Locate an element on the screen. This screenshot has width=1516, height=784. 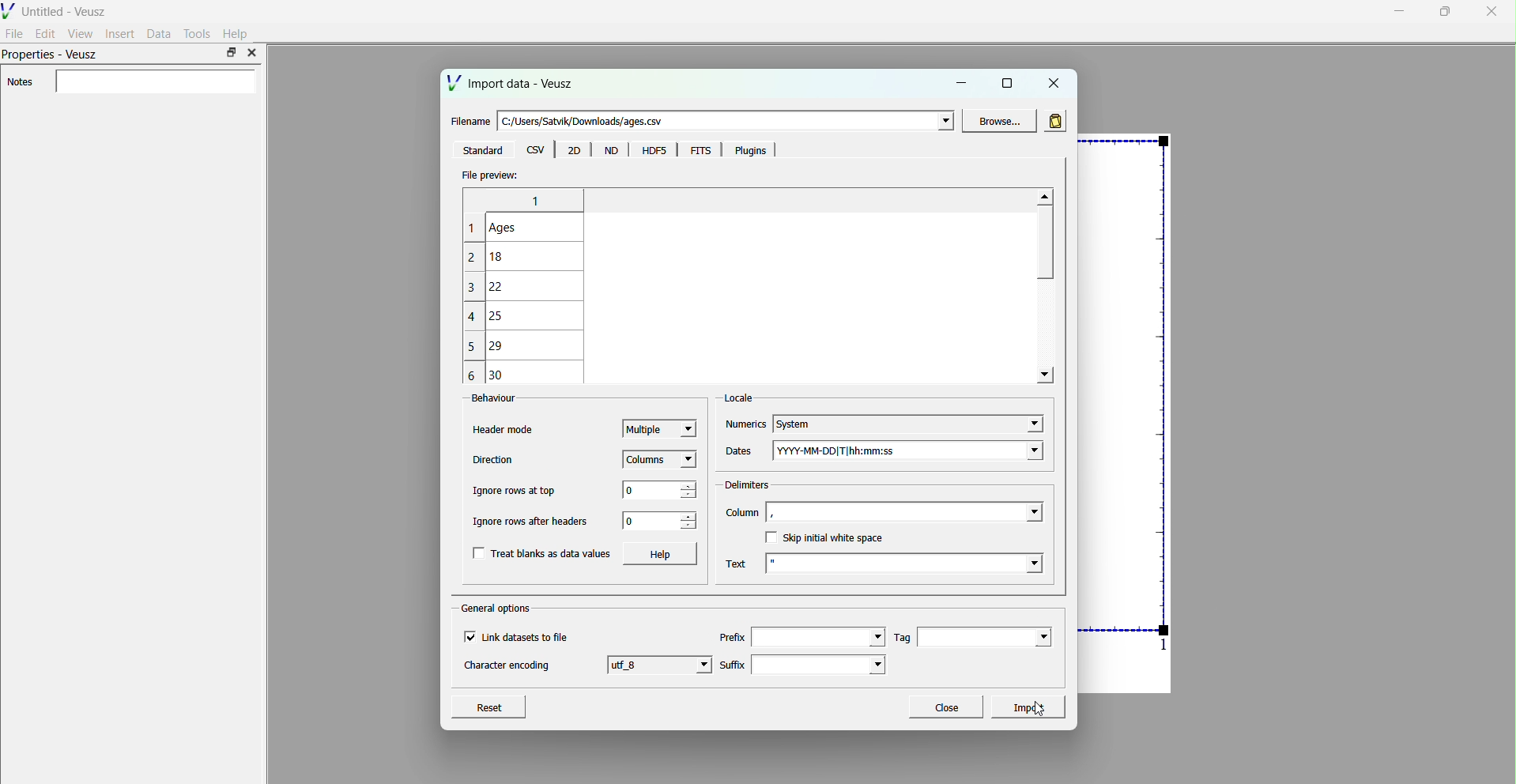
Ages is located at coordinates (505, 228).